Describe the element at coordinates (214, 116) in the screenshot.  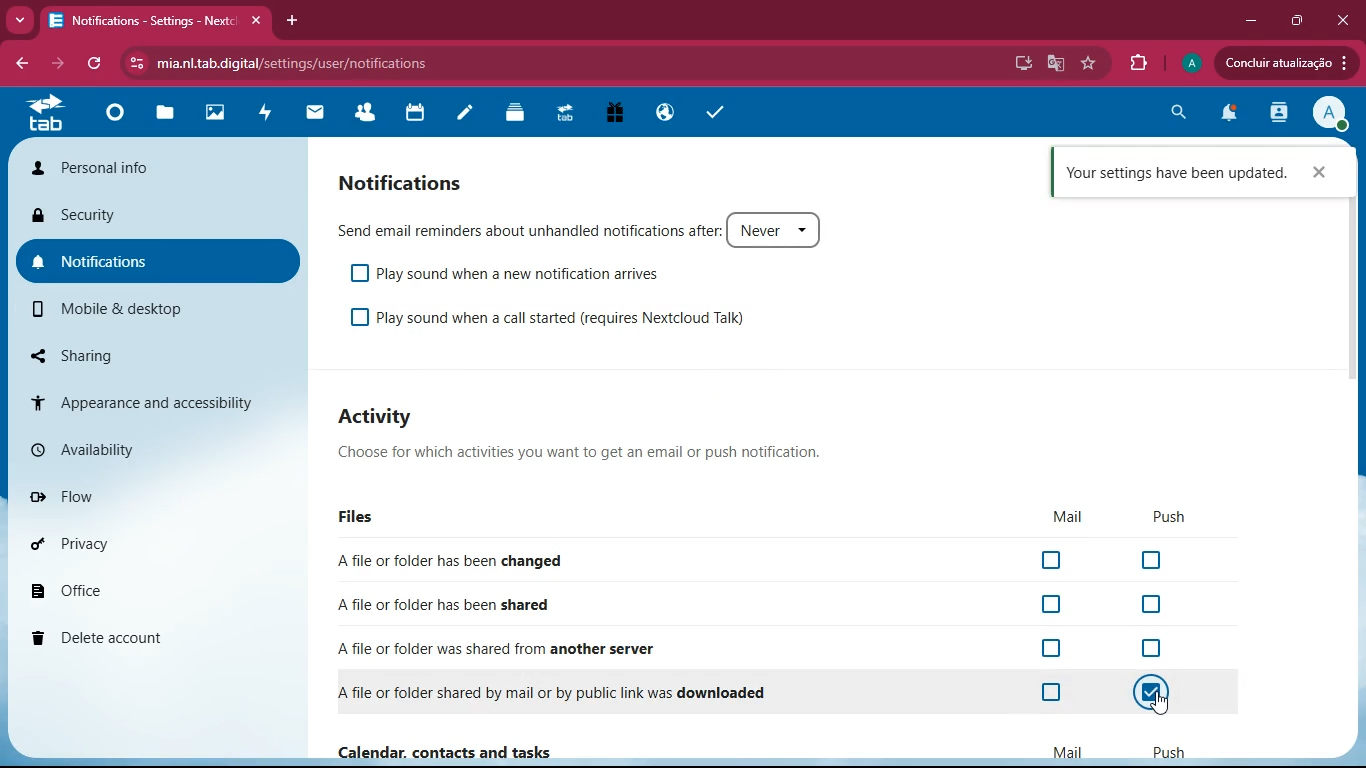
I see `images` at that location.